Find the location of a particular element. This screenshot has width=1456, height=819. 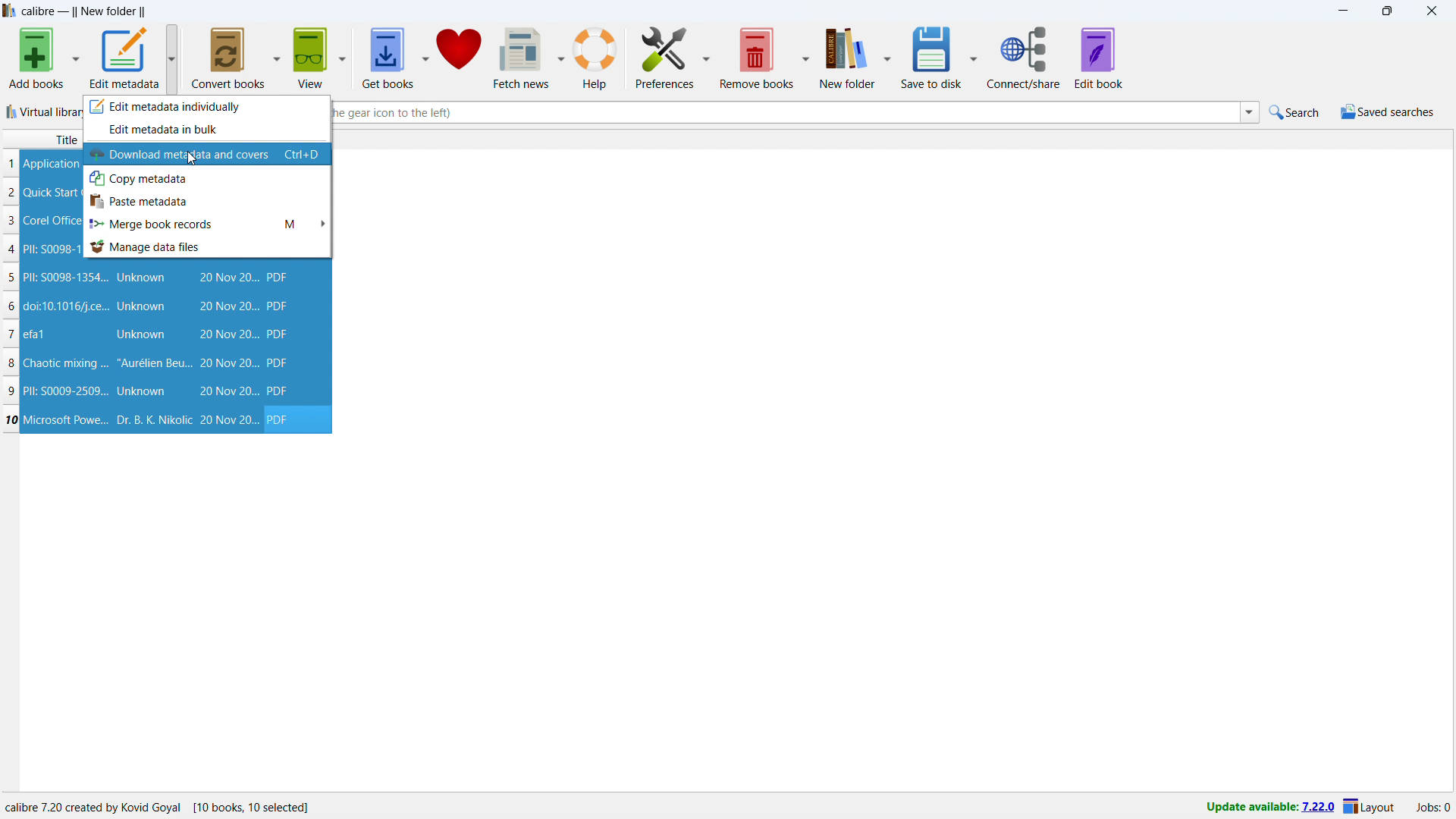

PDF is located at coordinates (278, 334).